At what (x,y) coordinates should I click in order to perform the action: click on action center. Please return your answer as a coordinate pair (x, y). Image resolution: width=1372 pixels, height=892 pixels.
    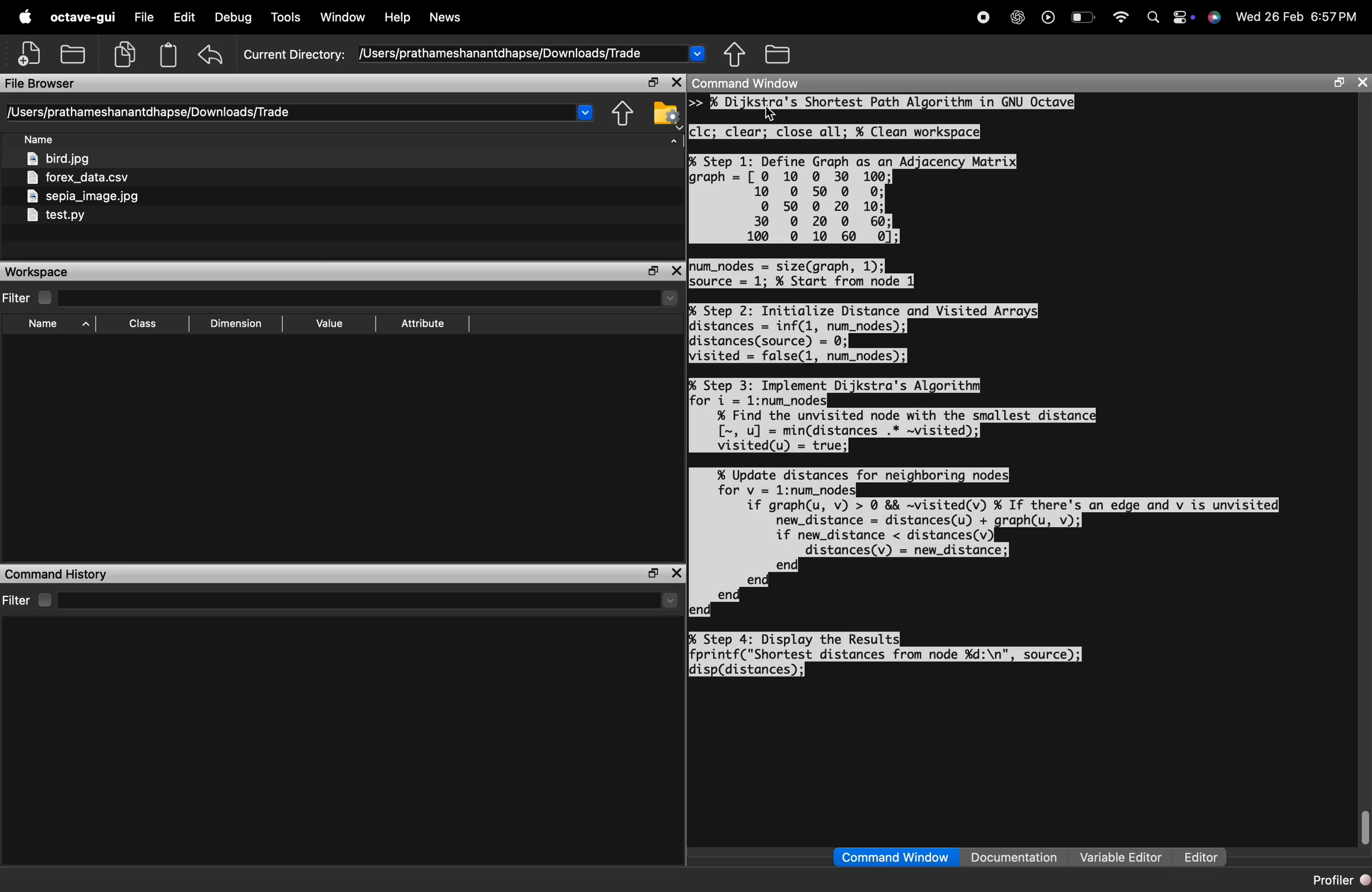
    Looking at the image, I should click on (1186, 18).